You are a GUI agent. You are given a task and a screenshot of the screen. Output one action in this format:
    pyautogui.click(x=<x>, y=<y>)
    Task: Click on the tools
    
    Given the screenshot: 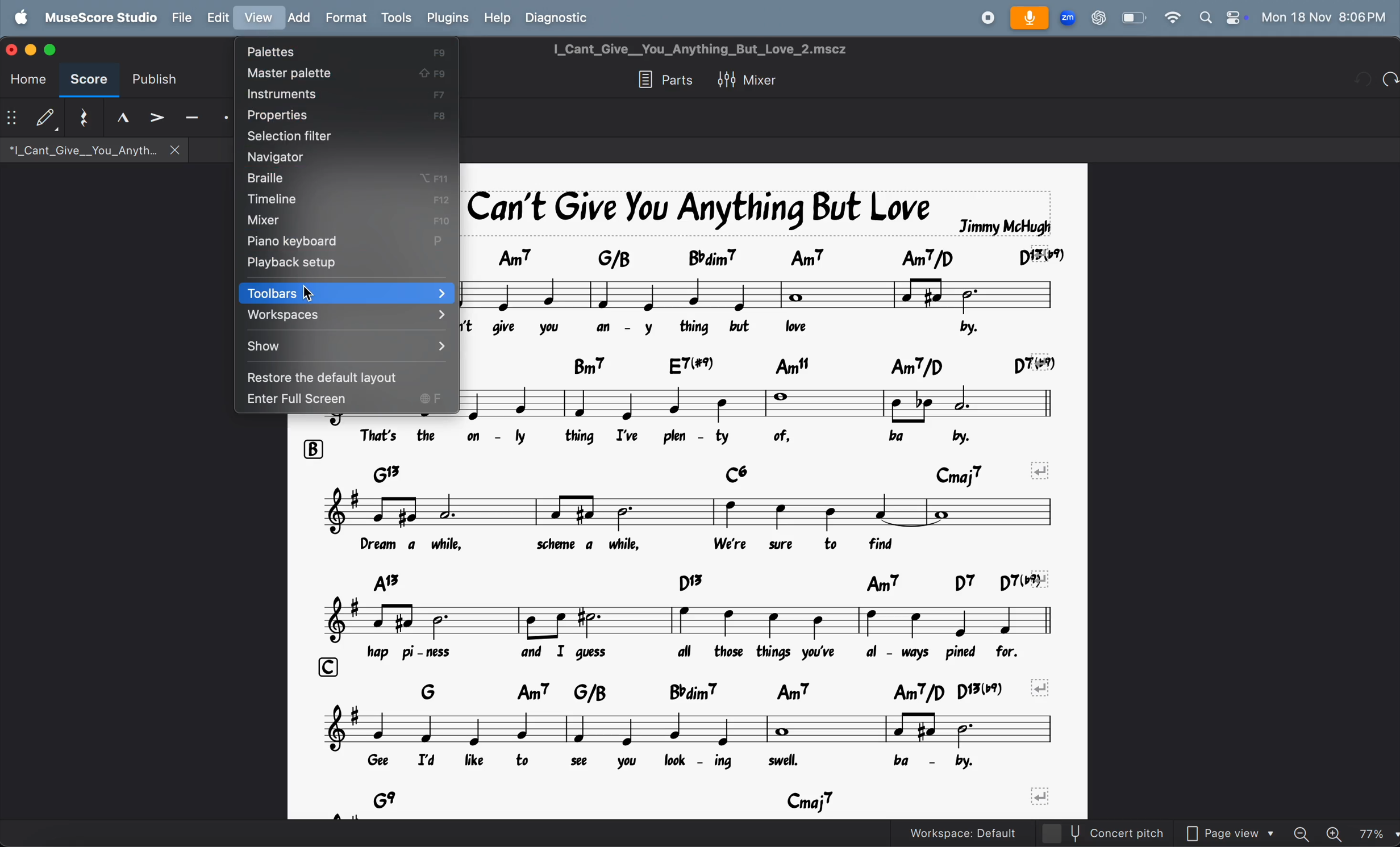 What is the action you would take?
    pyautogui.click(x=397, y=18)
    